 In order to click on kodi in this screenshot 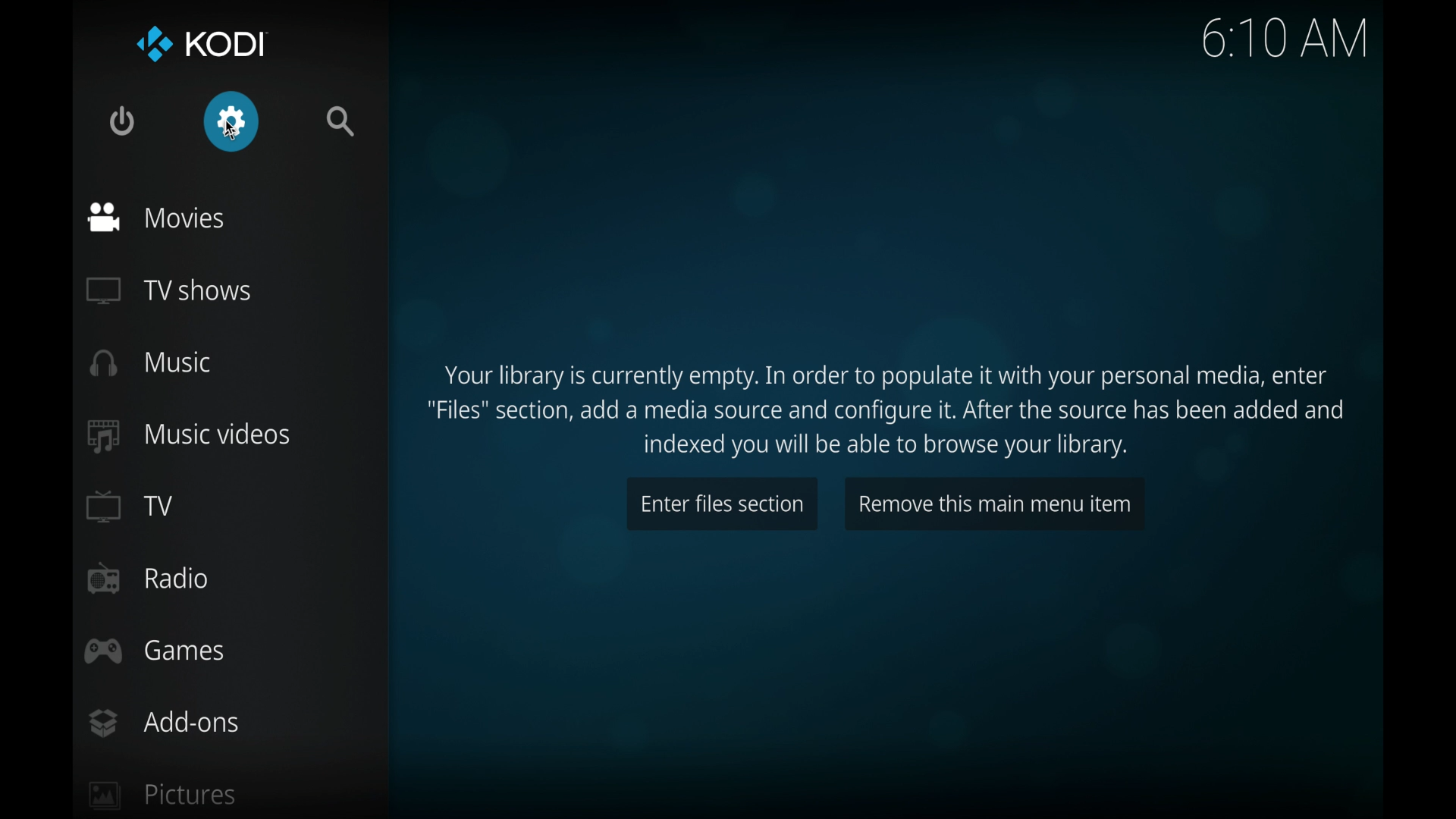, I will do `click(202, 43)`.